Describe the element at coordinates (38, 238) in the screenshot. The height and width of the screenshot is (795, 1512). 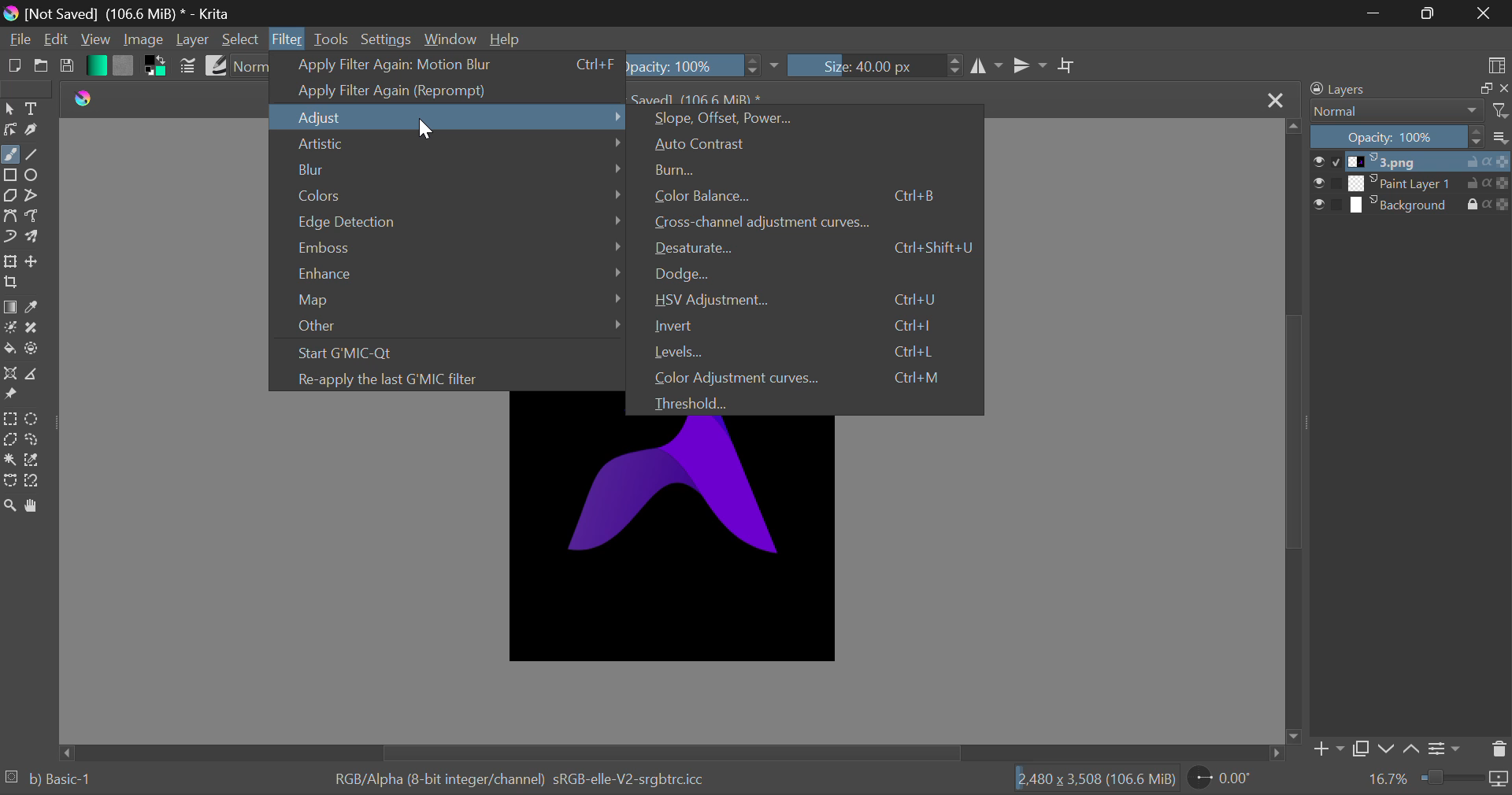
I see `Multibrush Tool` at that location.